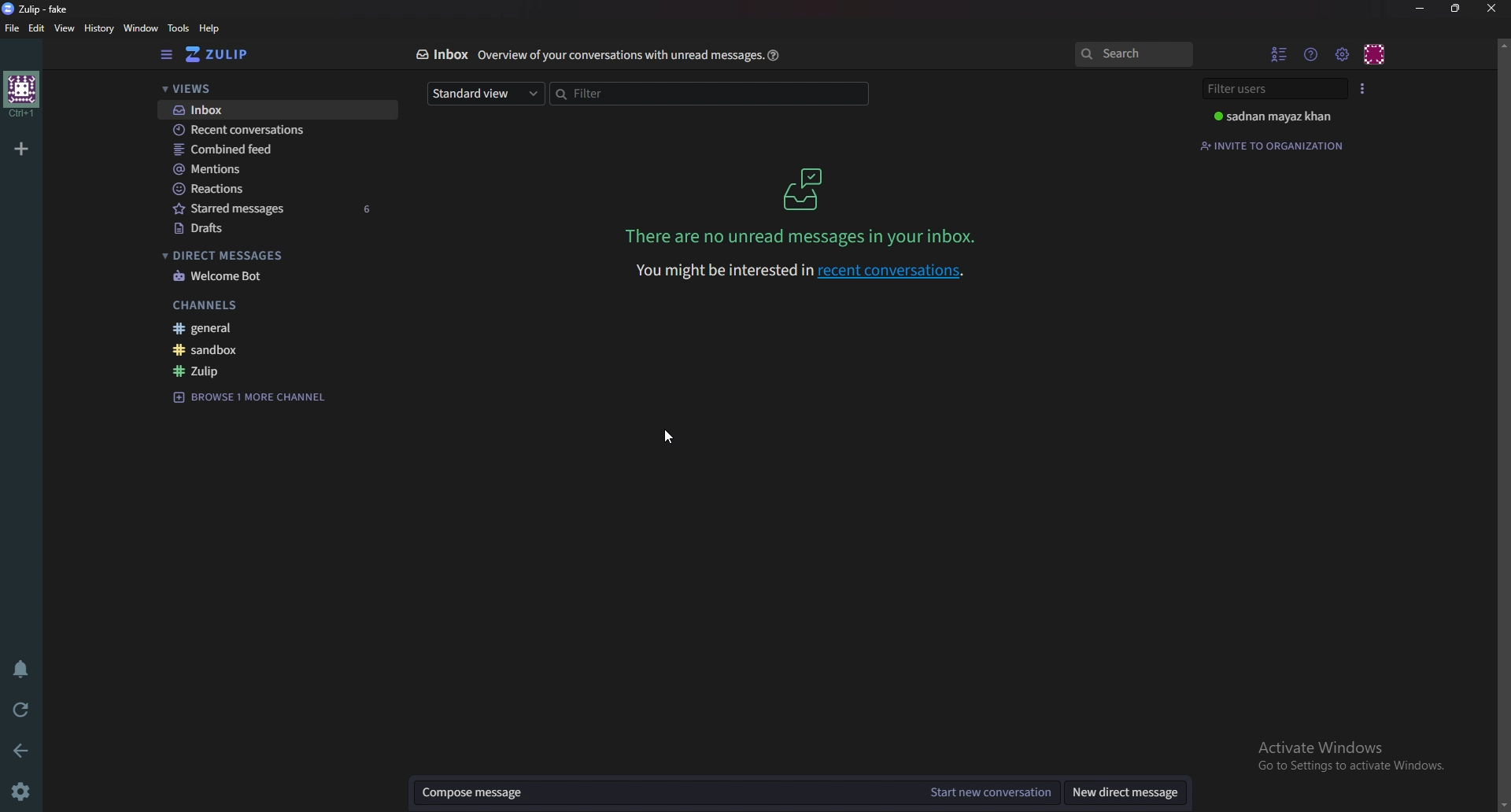 The width and height of the screenshot is (1511, 812). I want to click on user, so click(1272, 116).